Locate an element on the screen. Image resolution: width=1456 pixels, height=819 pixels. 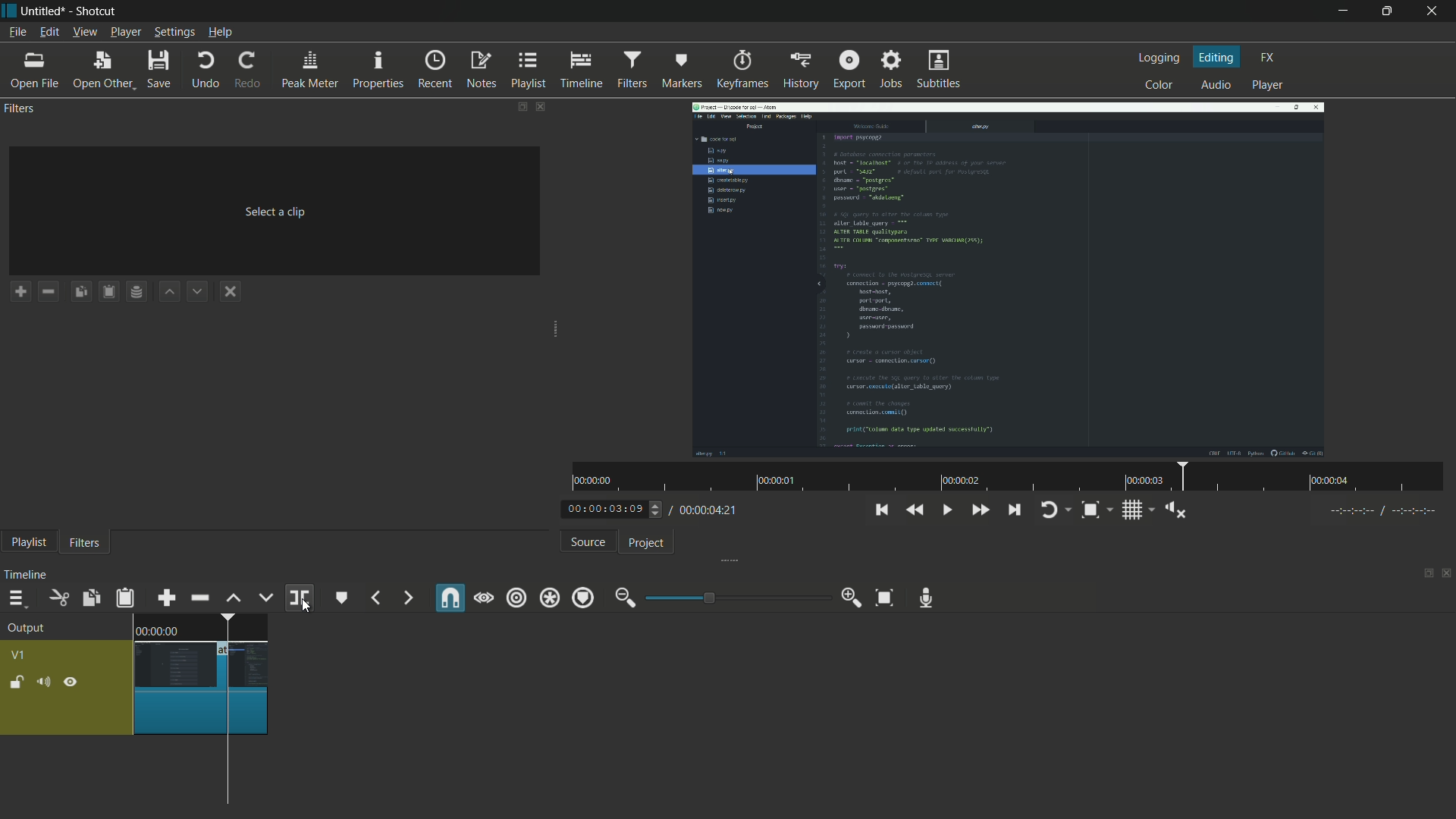
notes is located at coordinates (483, 70).